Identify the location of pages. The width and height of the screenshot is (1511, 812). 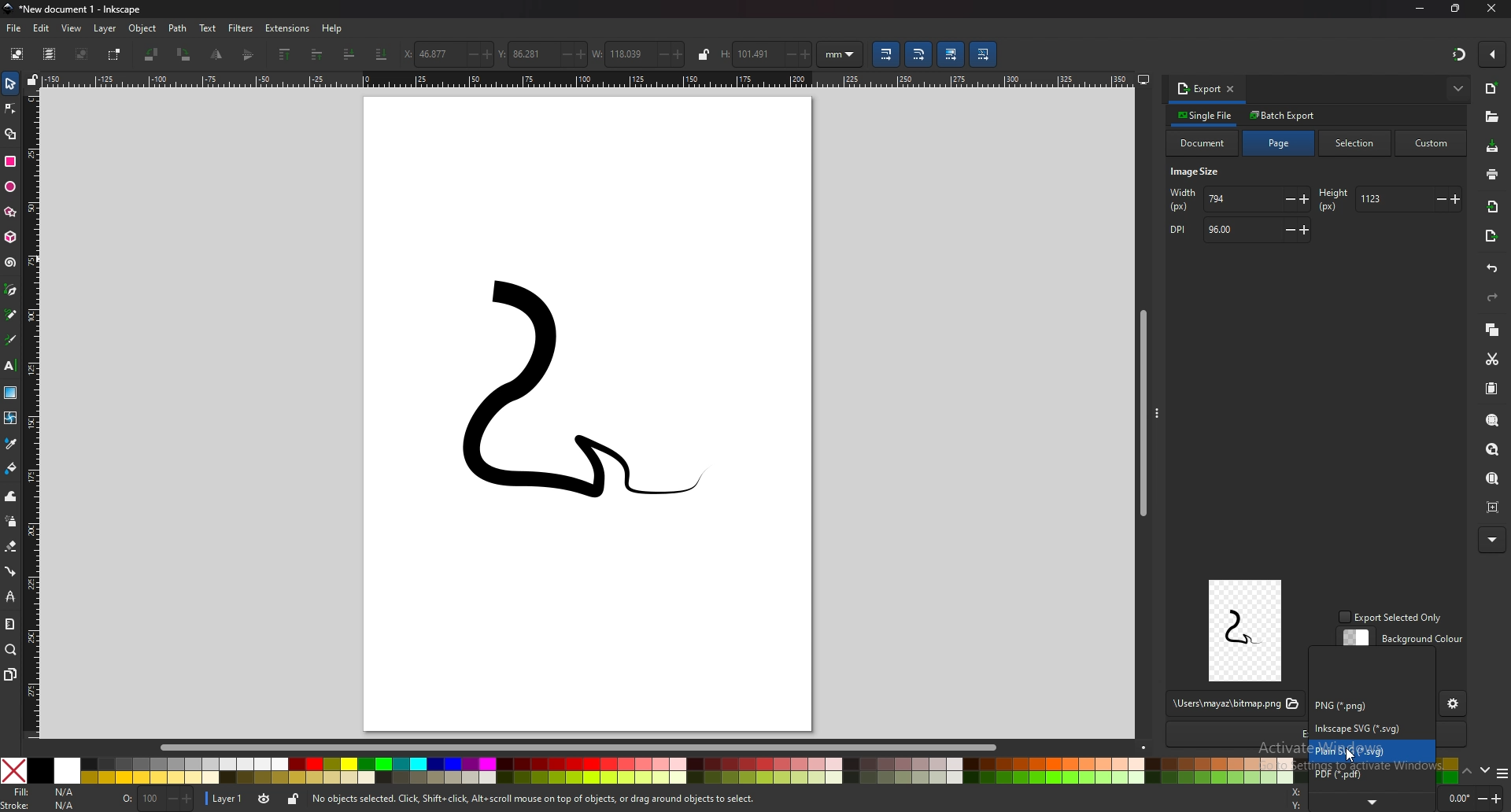
(10, 674).